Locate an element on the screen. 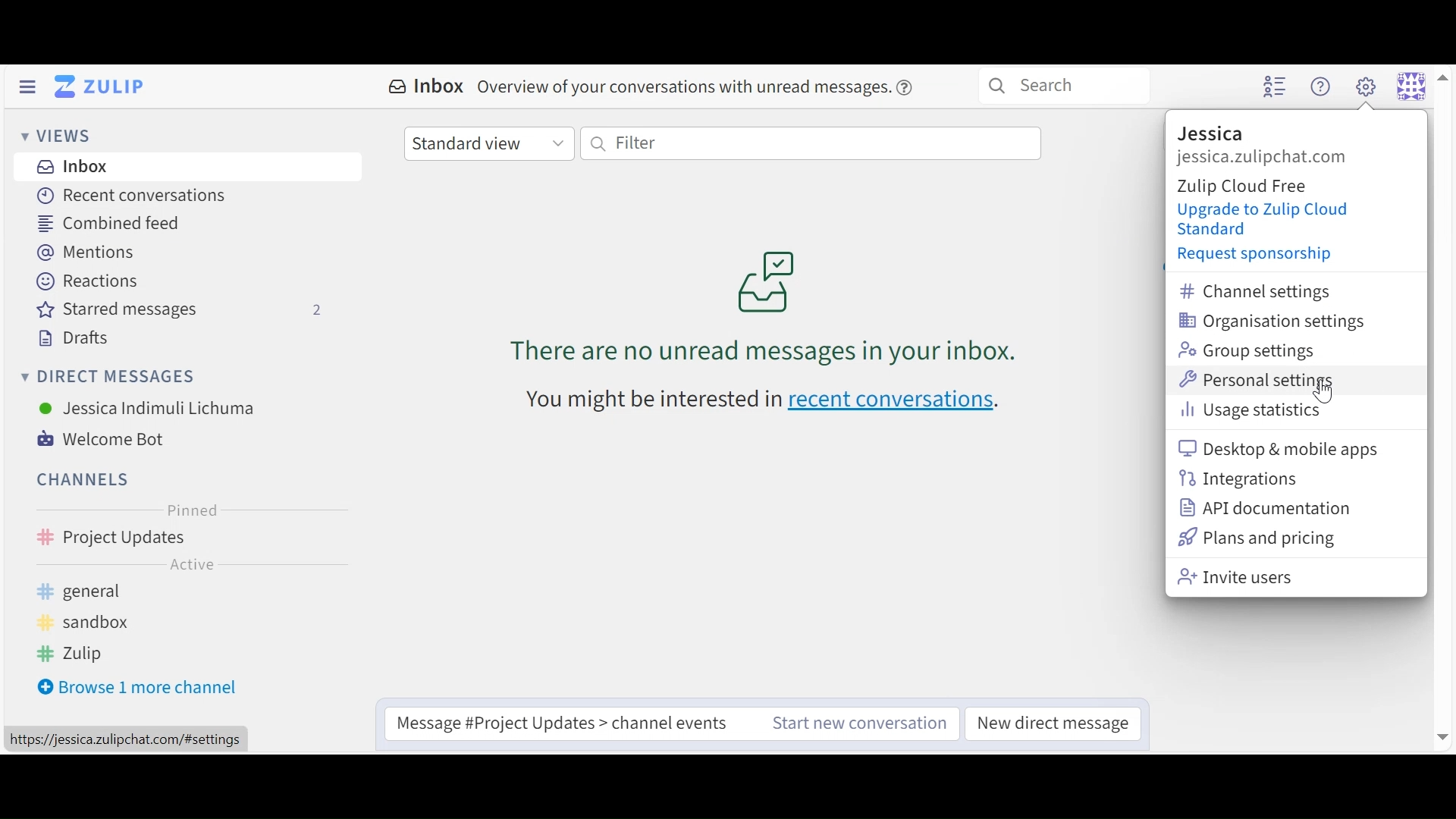  Reactions is located at coordinates (87, 281).